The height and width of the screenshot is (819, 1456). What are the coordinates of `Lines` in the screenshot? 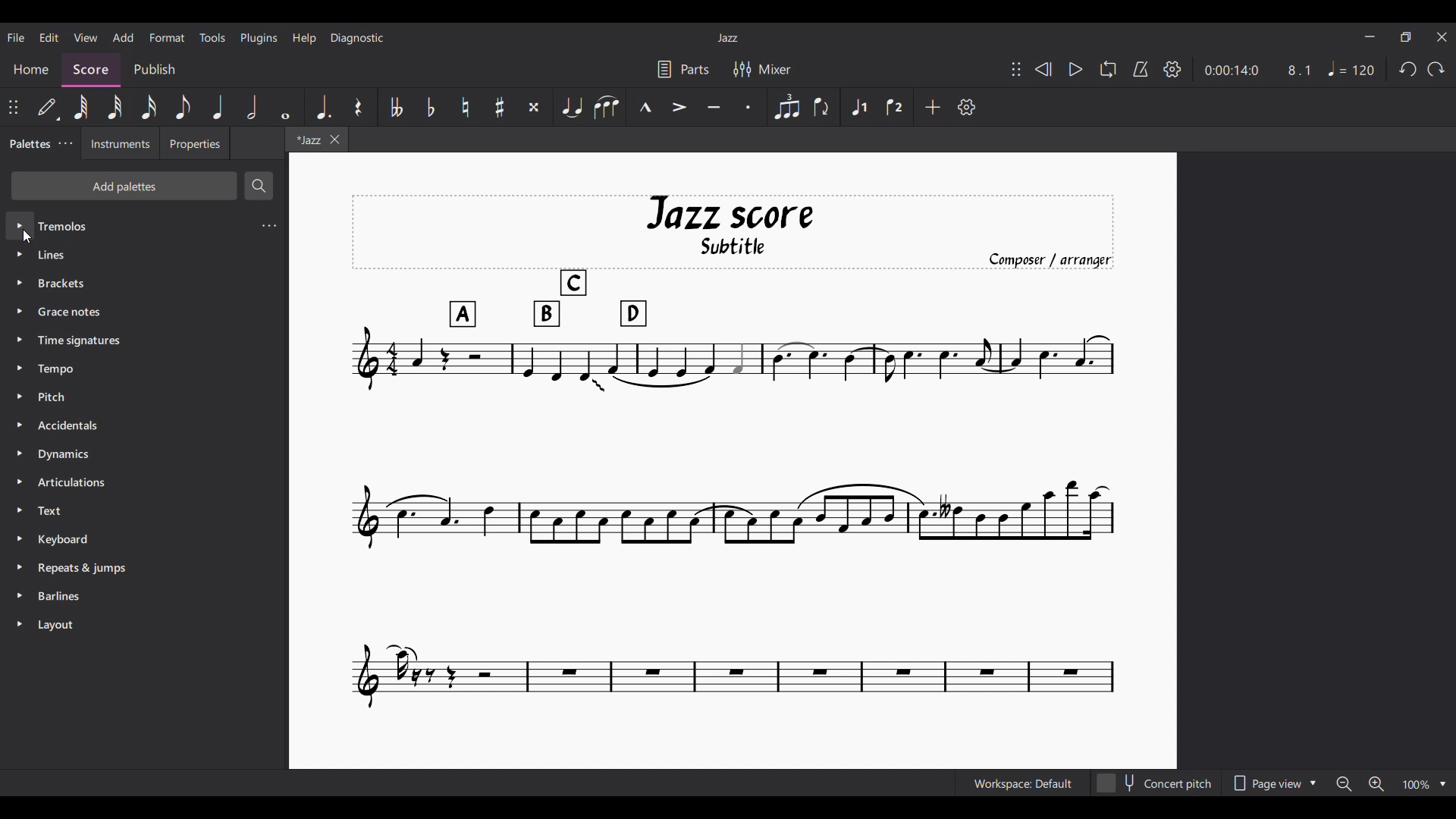 It's located at (143, 254).